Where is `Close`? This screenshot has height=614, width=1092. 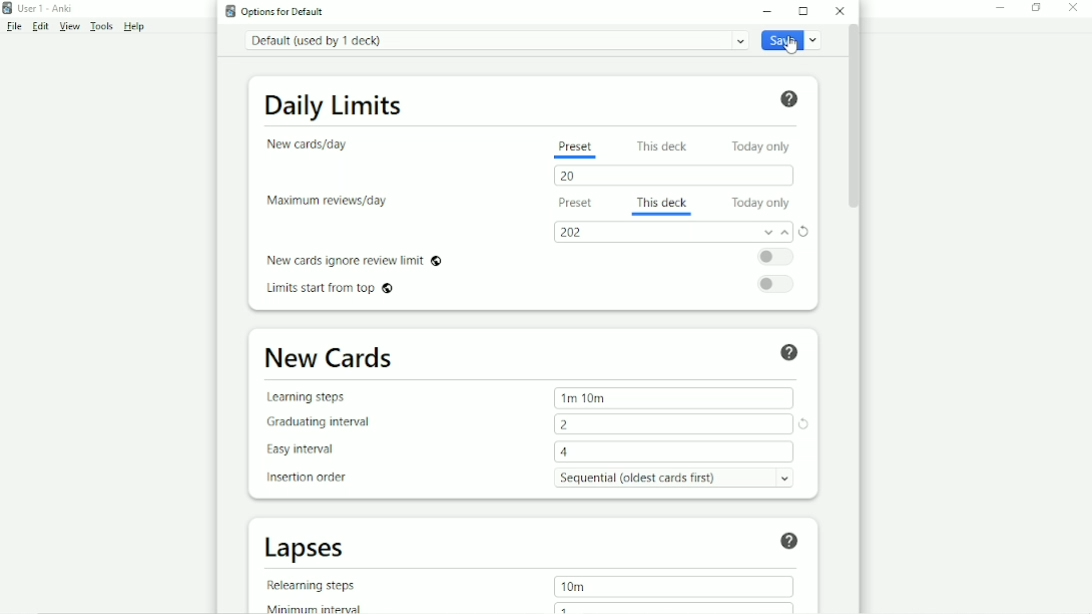 Close is located at coordinates (1073, 8).